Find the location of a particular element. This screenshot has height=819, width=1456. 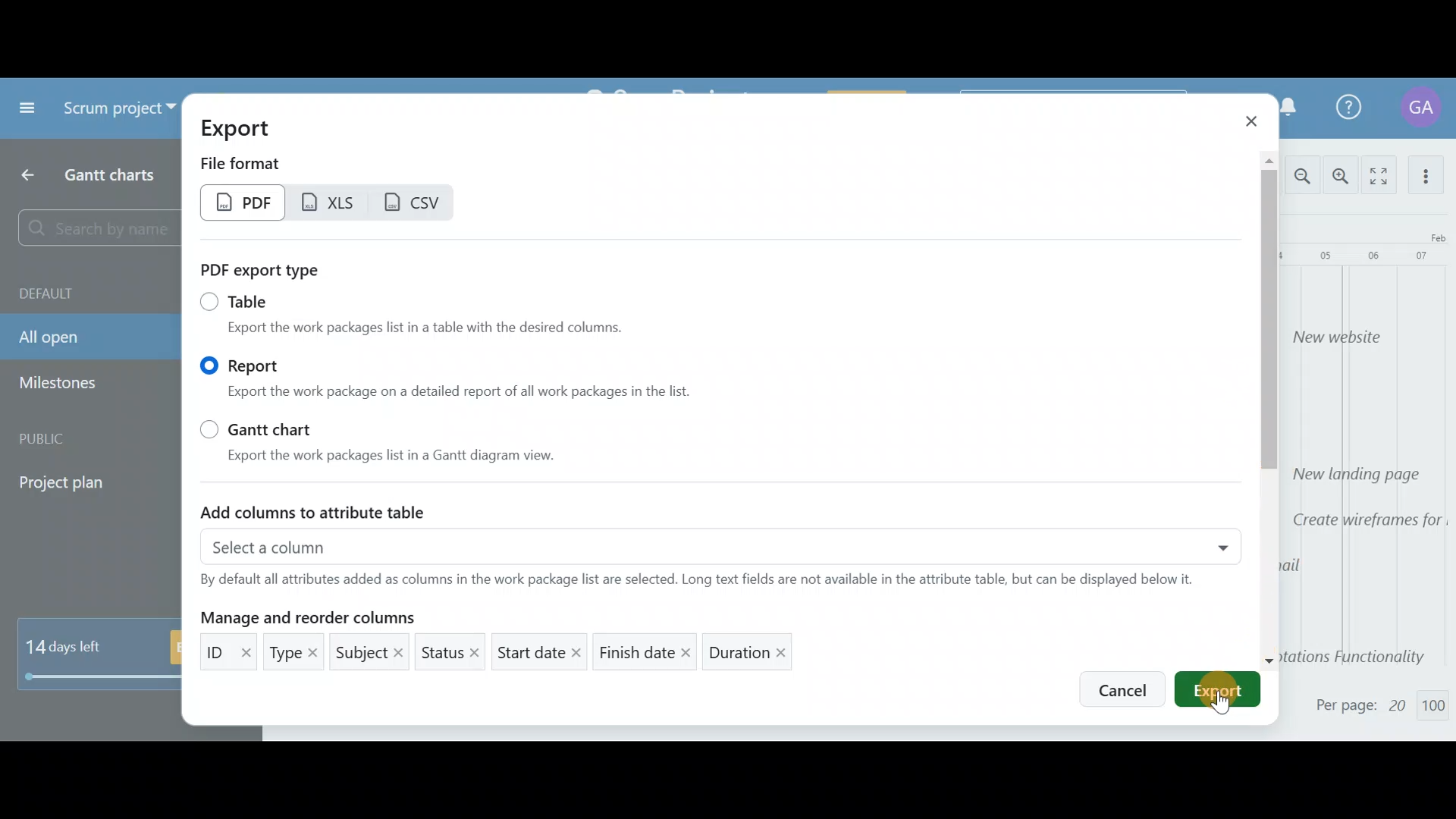

Export the work packages list in a table with the desired columns is located at coordinates (431, 329).